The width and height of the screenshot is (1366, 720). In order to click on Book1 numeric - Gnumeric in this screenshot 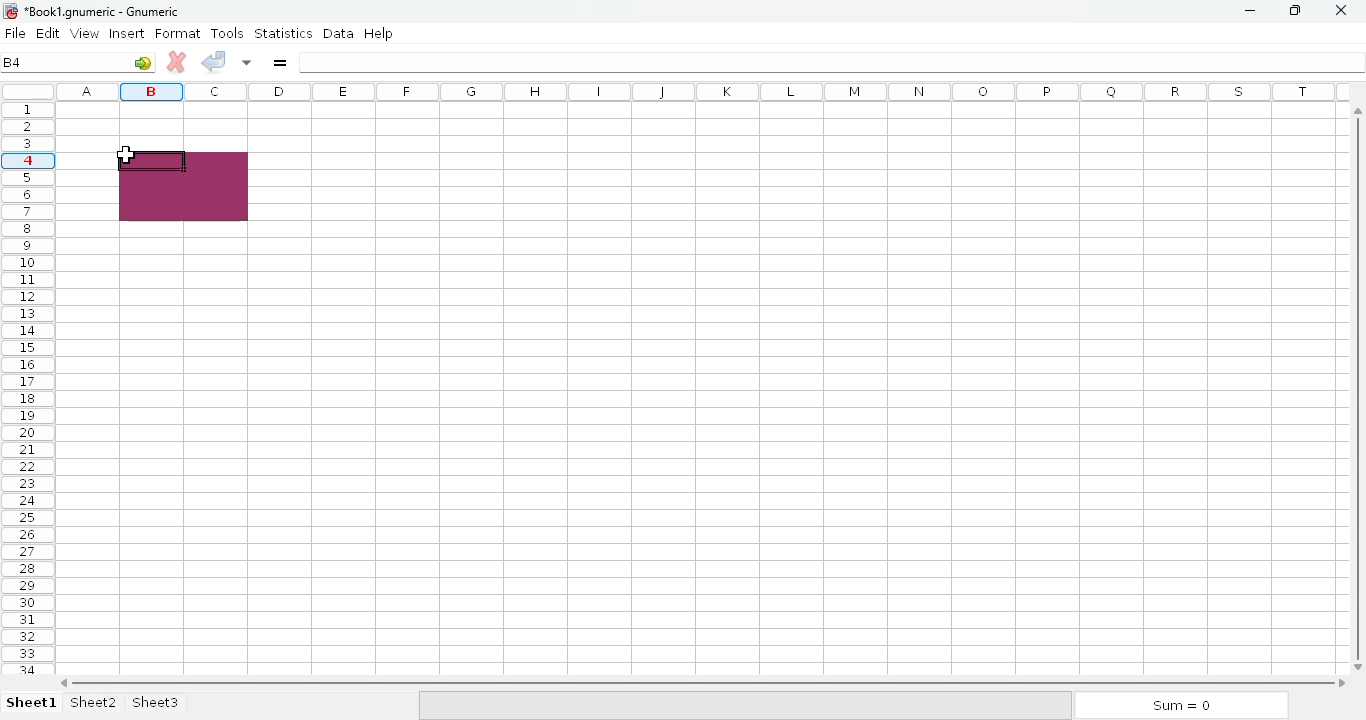, I will do `click(102, 12)`.